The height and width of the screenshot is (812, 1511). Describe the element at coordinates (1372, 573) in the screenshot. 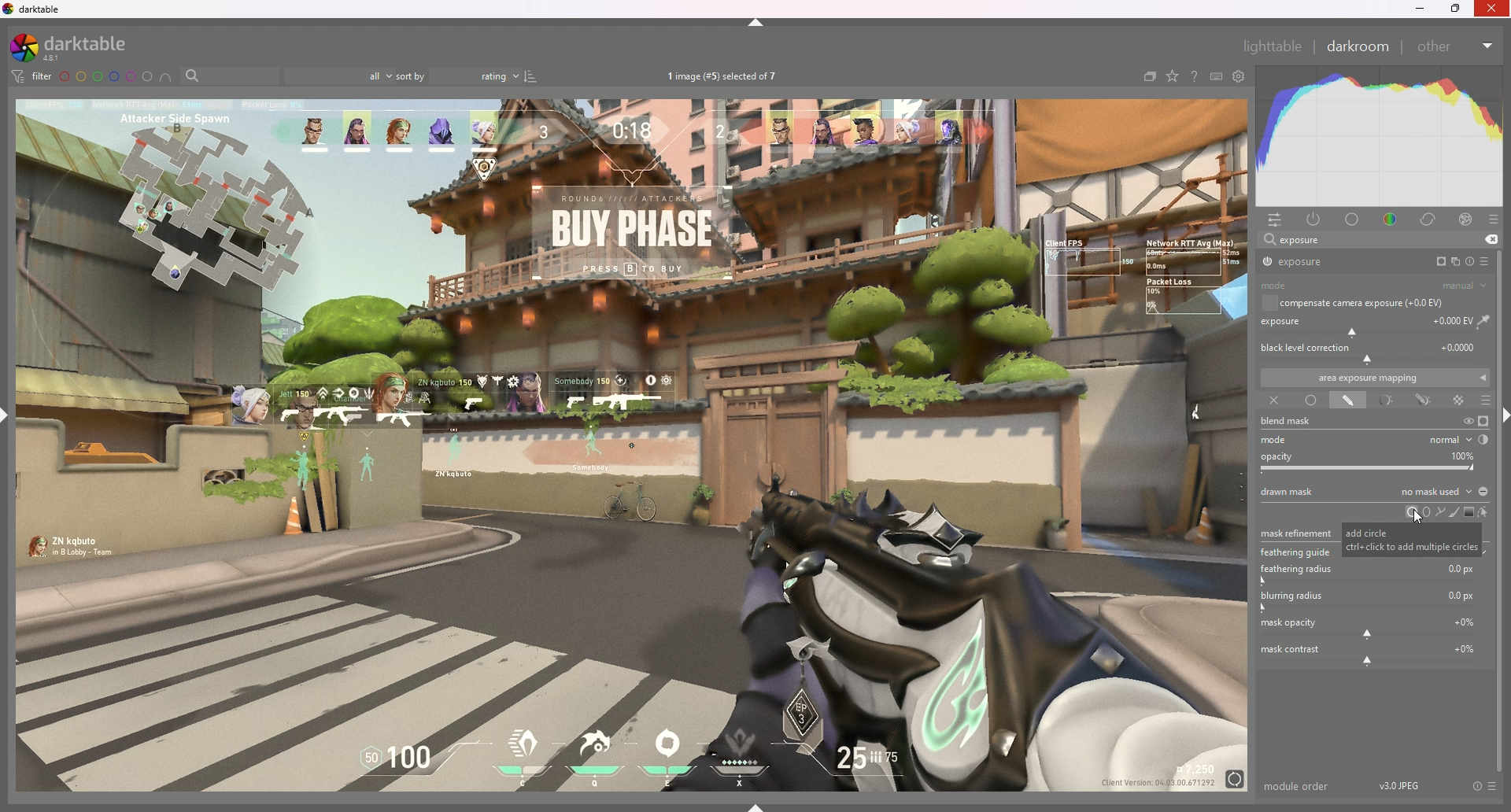

I see `feathuring` at that location.